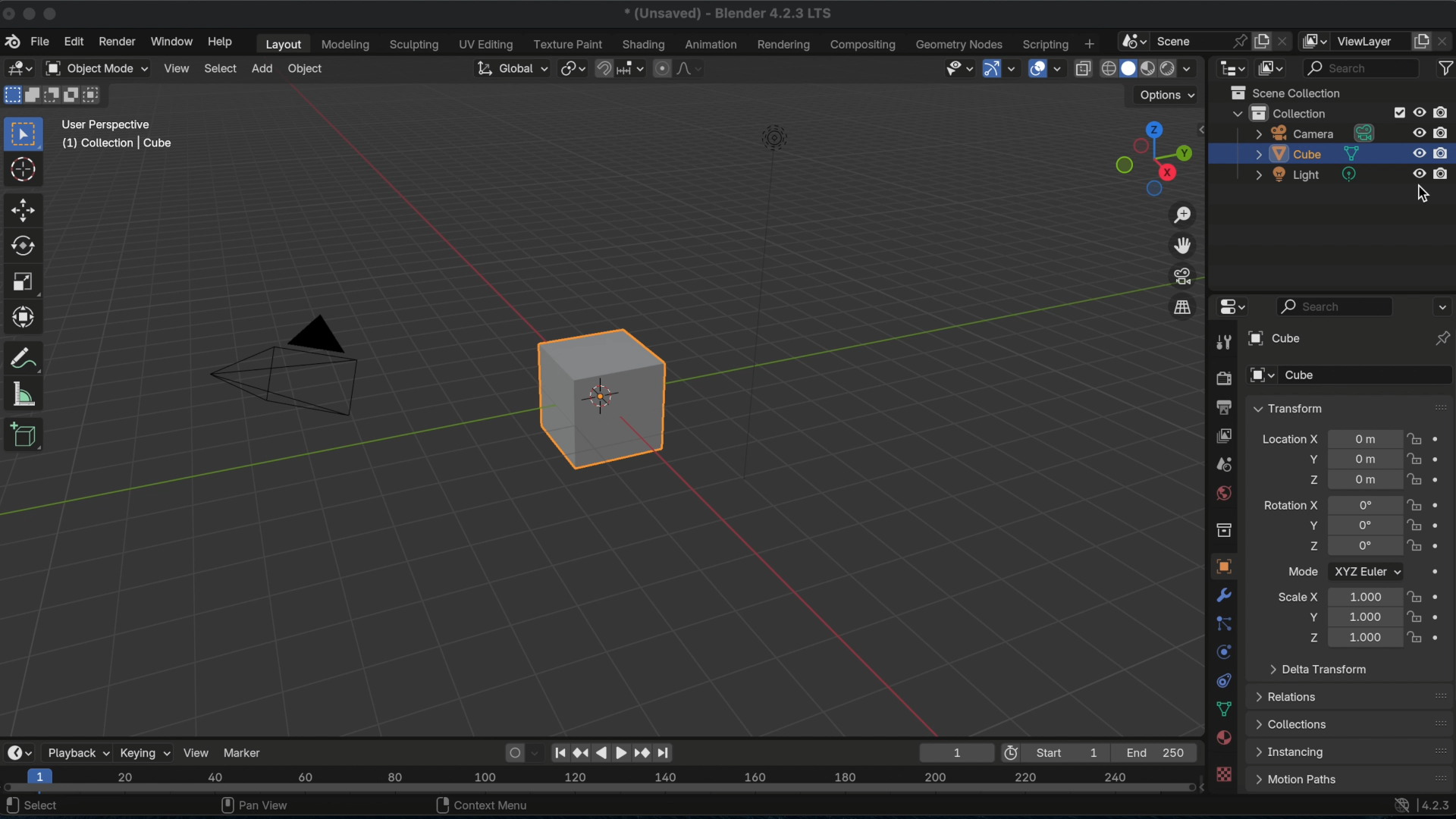 This screenshot has height=819, width=1456. I want to click on scene name, so click(1175, 39).